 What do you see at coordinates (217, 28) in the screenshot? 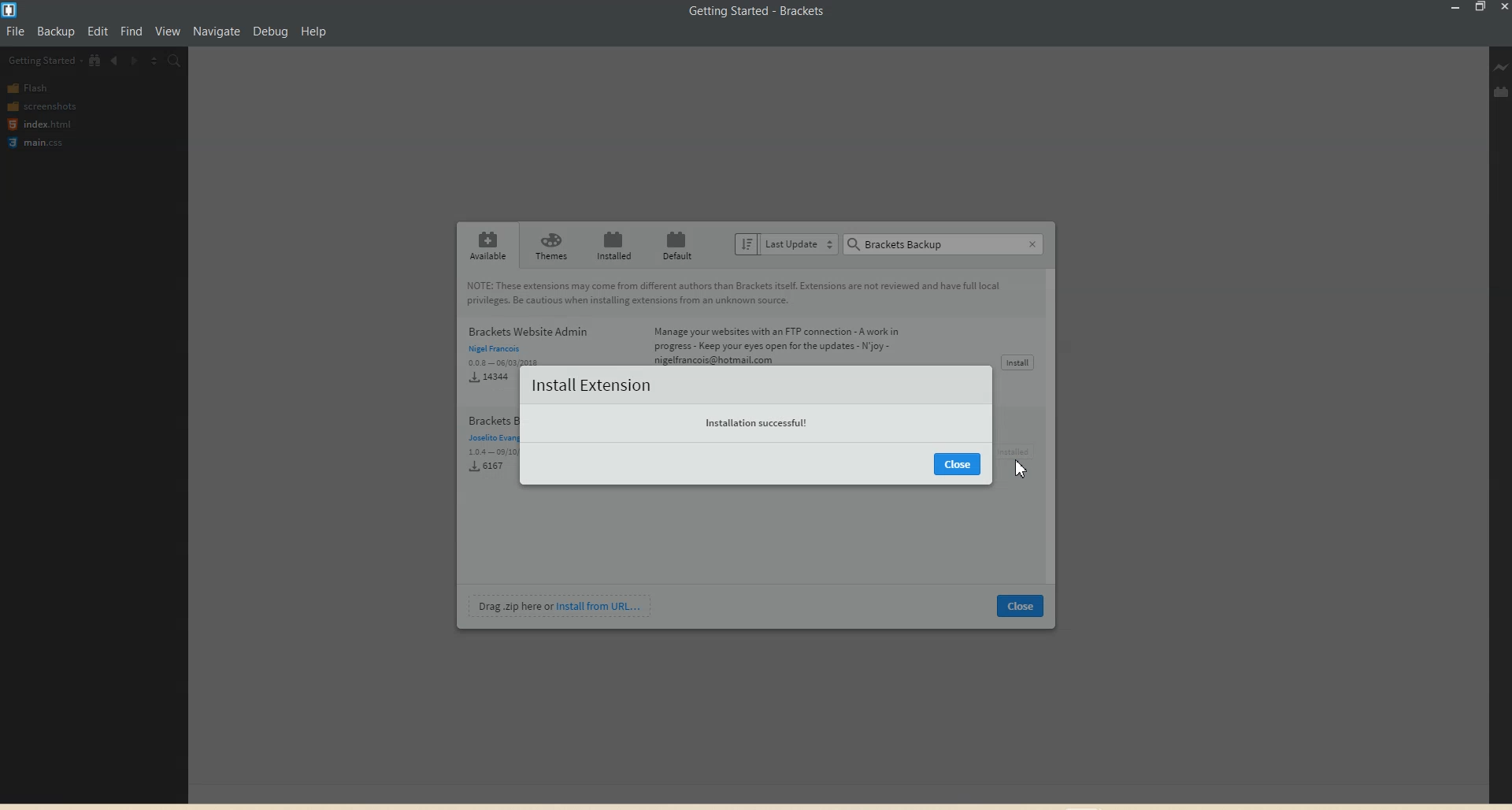
I see `Navigation` at bounding box center [217, 28].